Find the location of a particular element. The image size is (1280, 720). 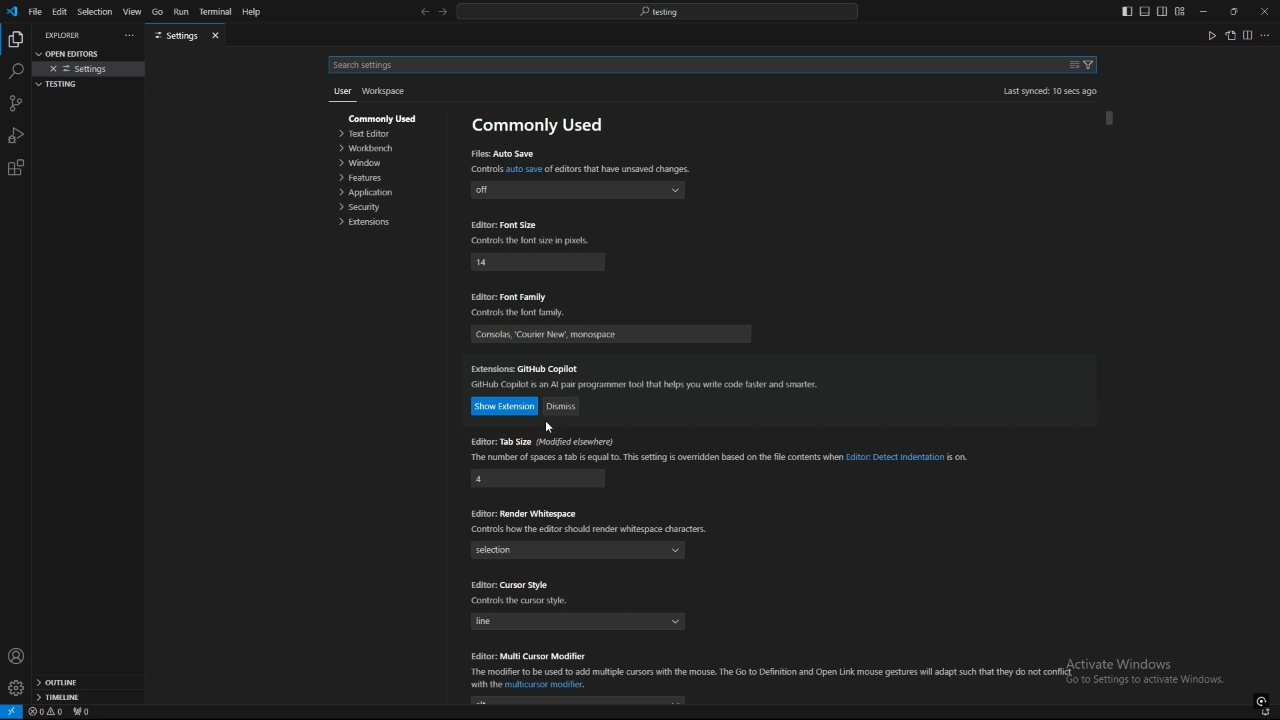

editor tab size is located at coordinates (548, 442).